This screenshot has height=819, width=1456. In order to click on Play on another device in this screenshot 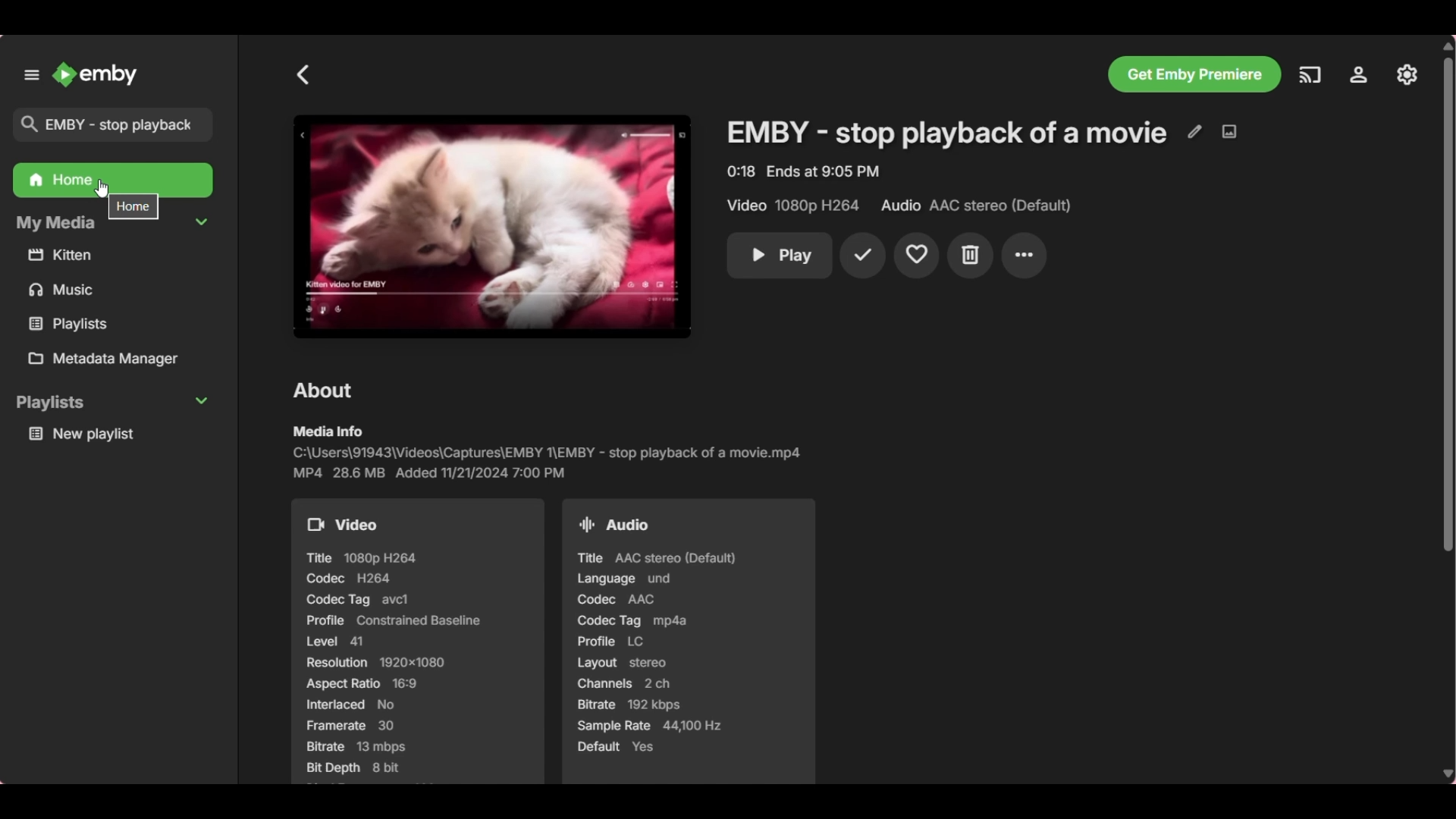, I will do `click(1310, 75)`.